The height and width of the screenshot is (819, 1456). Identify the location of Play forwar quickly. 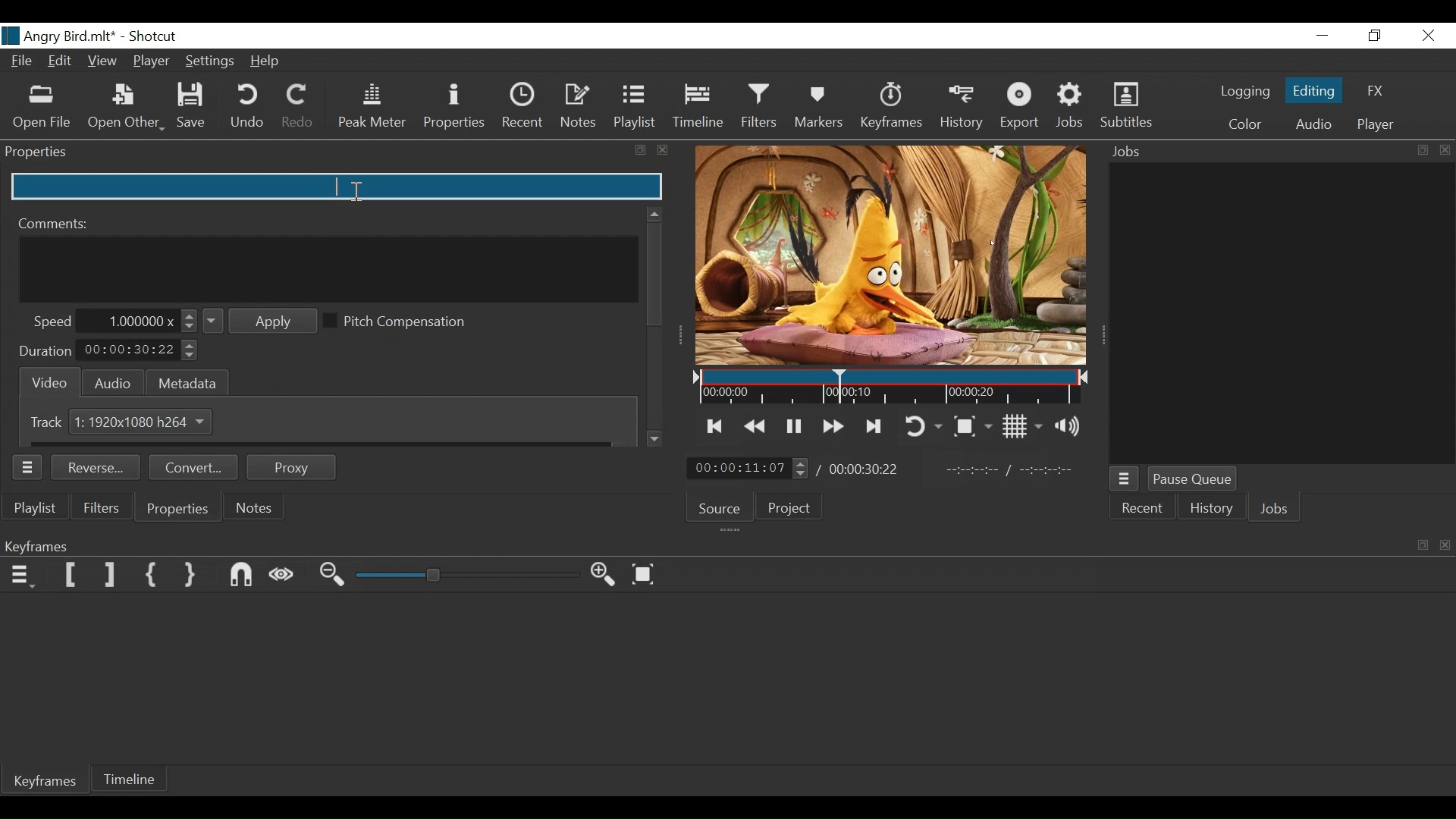
(834, 426).